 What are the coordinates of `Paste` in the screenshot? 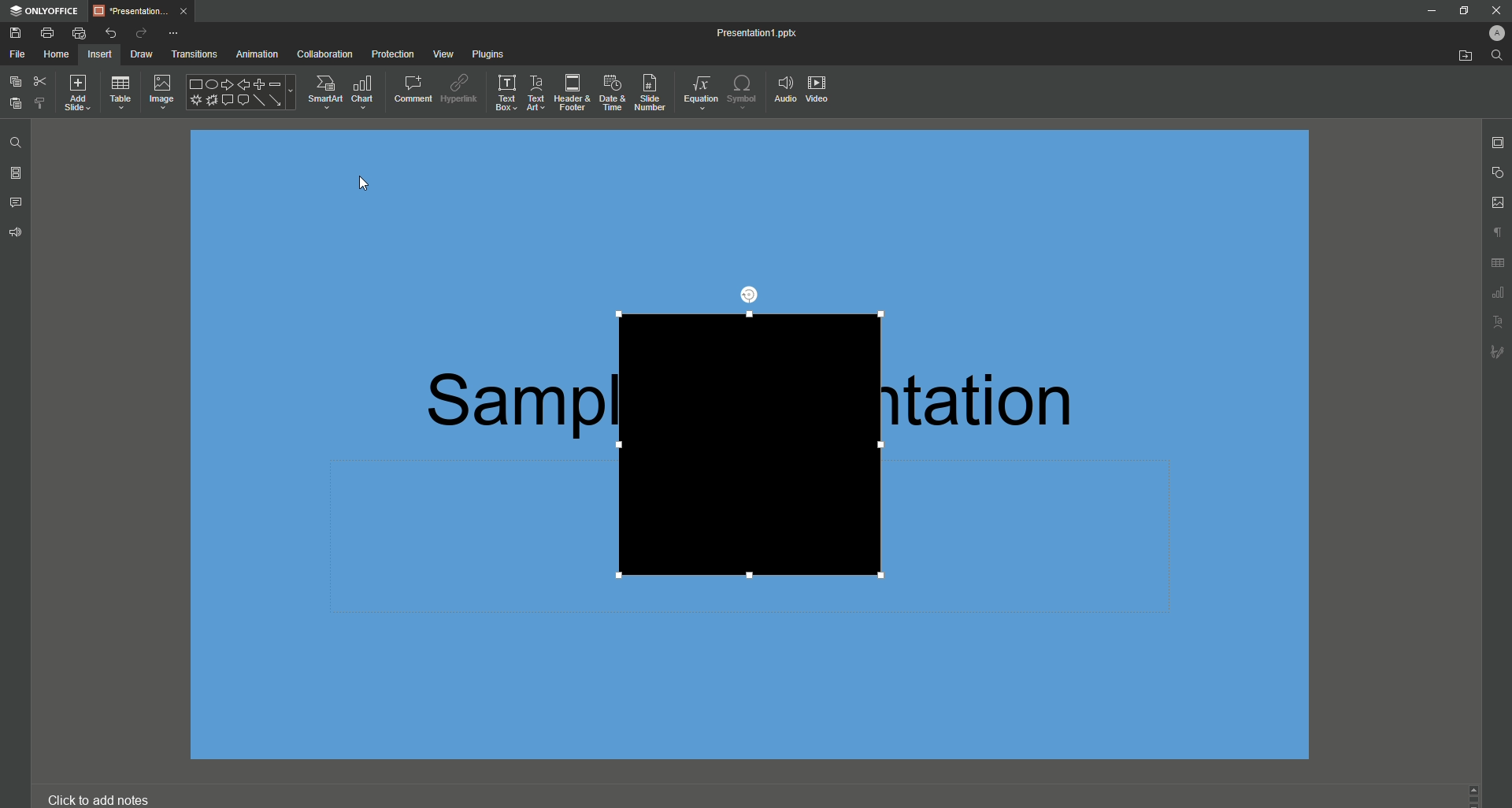 It's located at (15, 104).